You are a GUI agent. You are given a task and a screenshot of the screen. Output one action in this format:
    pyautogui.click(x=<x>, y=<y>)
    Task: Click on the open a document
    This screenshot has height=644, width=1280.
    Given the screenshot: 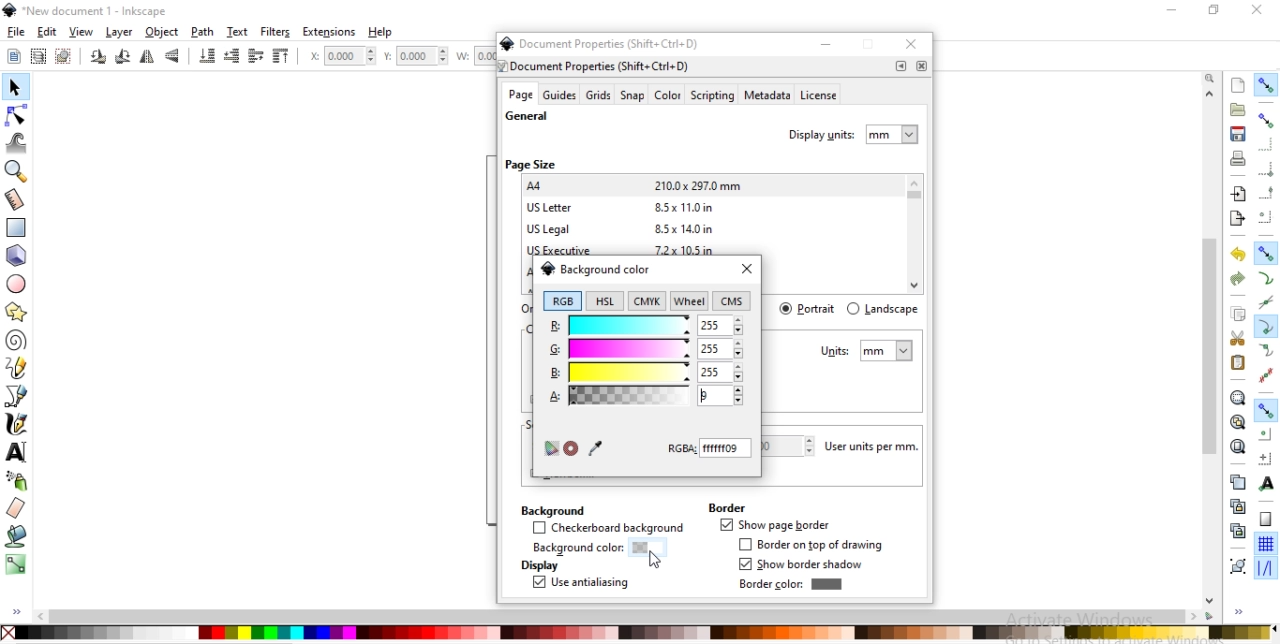 What is the action you would take?
    pyautogui.click(x=1236, y=109)
    